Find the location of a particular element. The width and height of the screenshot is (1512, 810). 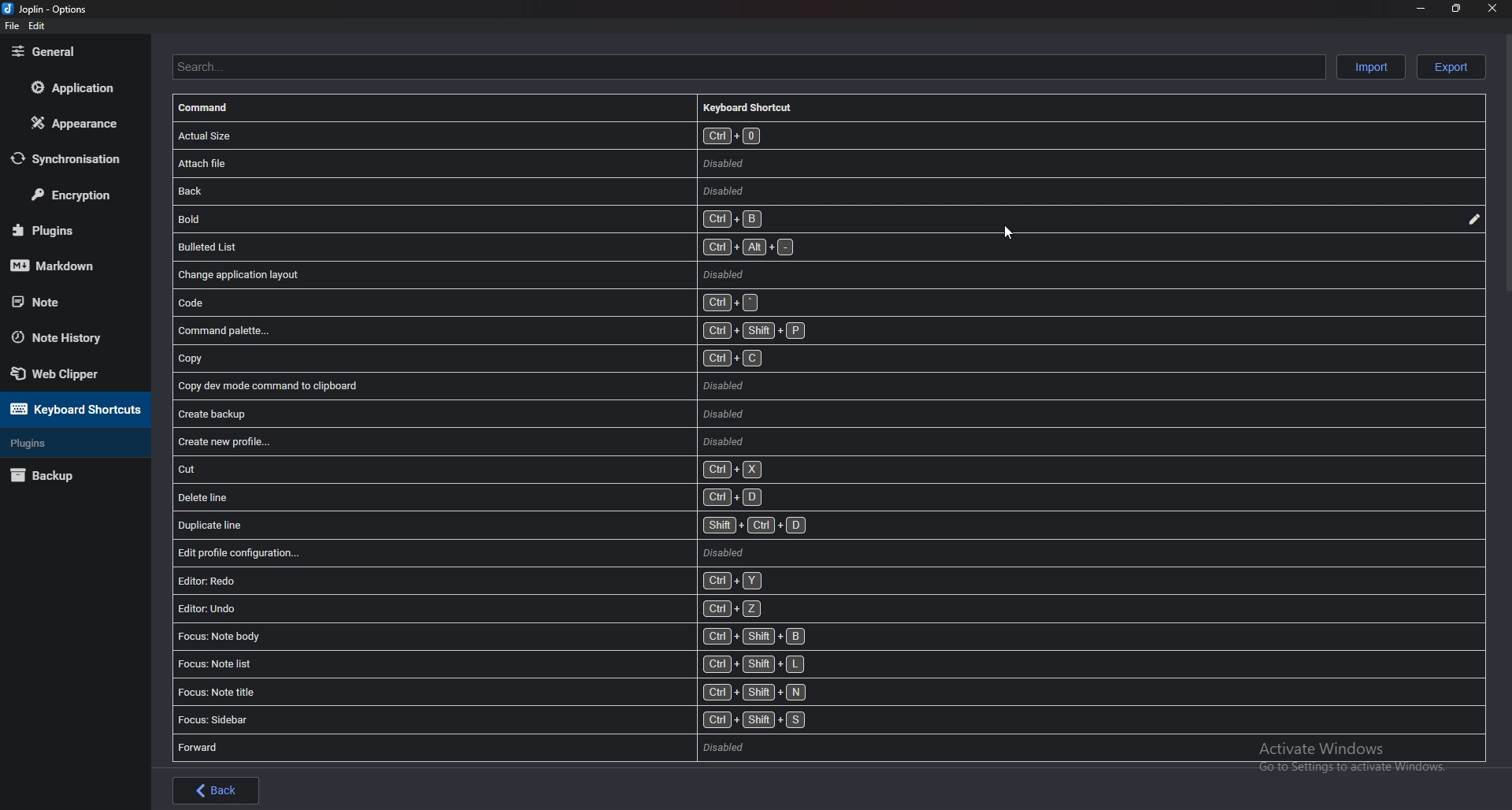

editor: ratio is located at coordinates (469, 581).